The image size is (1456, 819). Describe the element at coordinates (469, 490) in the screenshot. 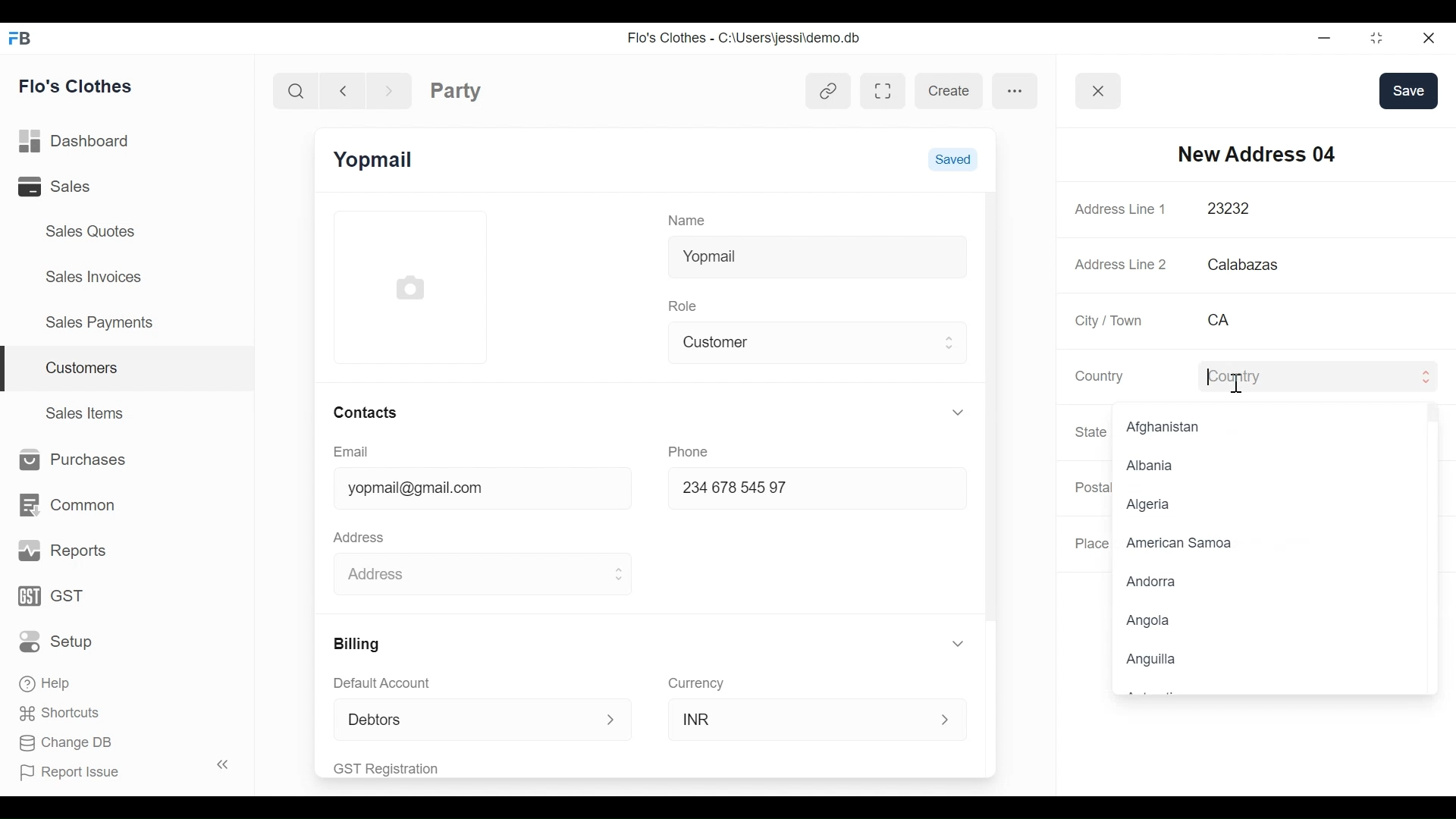

I see `yopmail@gmail.com` at that location.